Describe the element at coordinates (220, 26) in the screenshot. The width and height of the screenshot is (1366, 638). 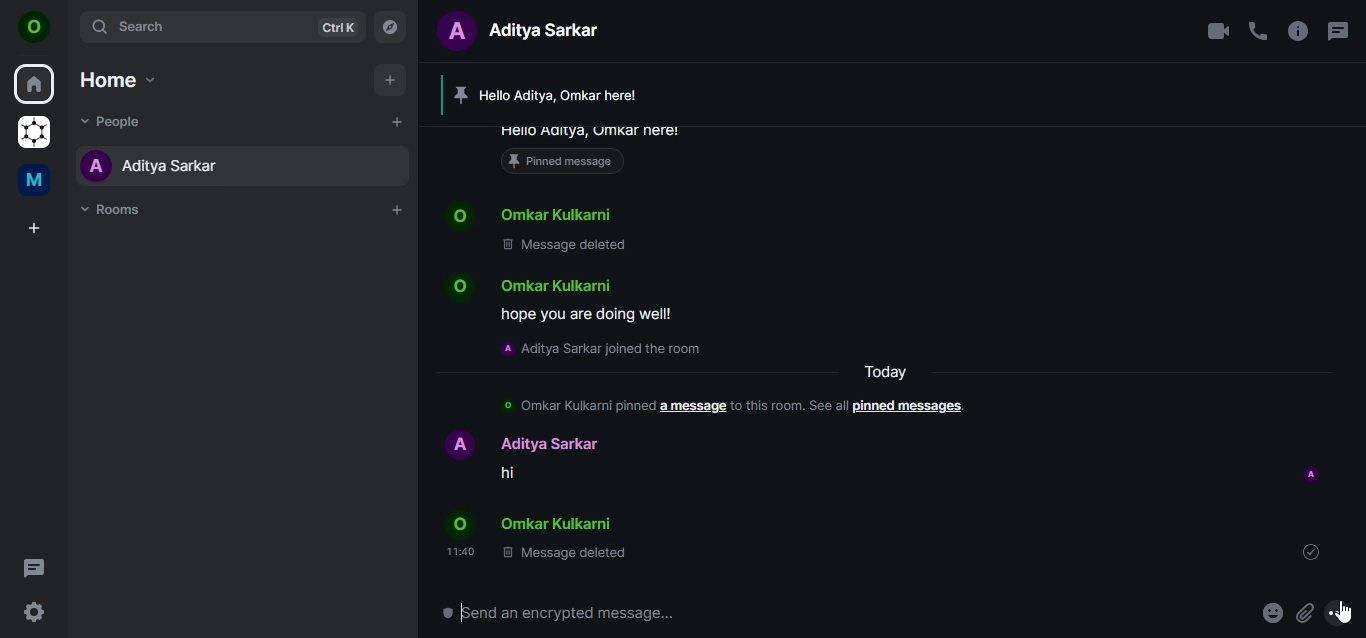
I see `search` at that location.